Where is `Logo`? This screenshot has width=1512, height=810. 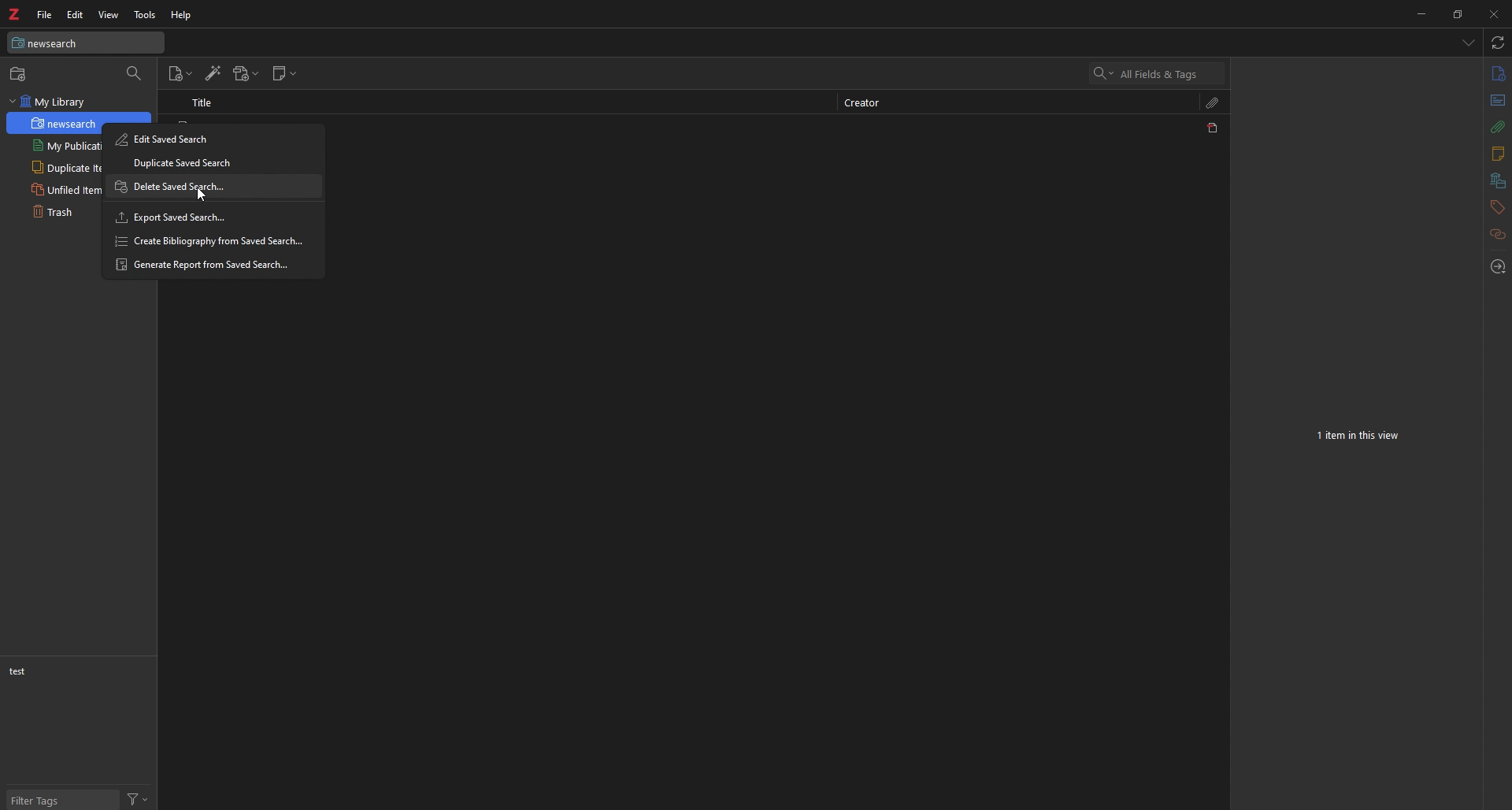
Logo is located at coordinates (17, 15).